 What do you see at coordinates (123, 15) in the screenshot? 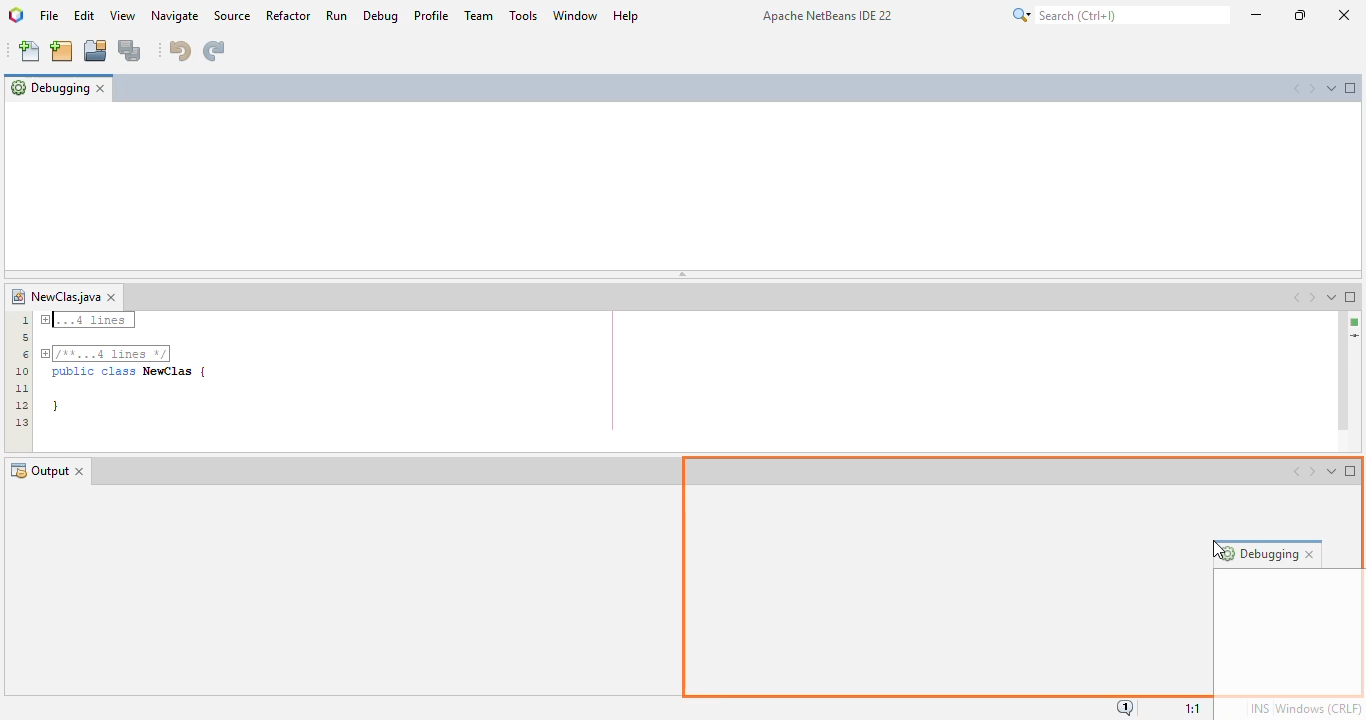
I see `view` at bounding box center [123, 15].